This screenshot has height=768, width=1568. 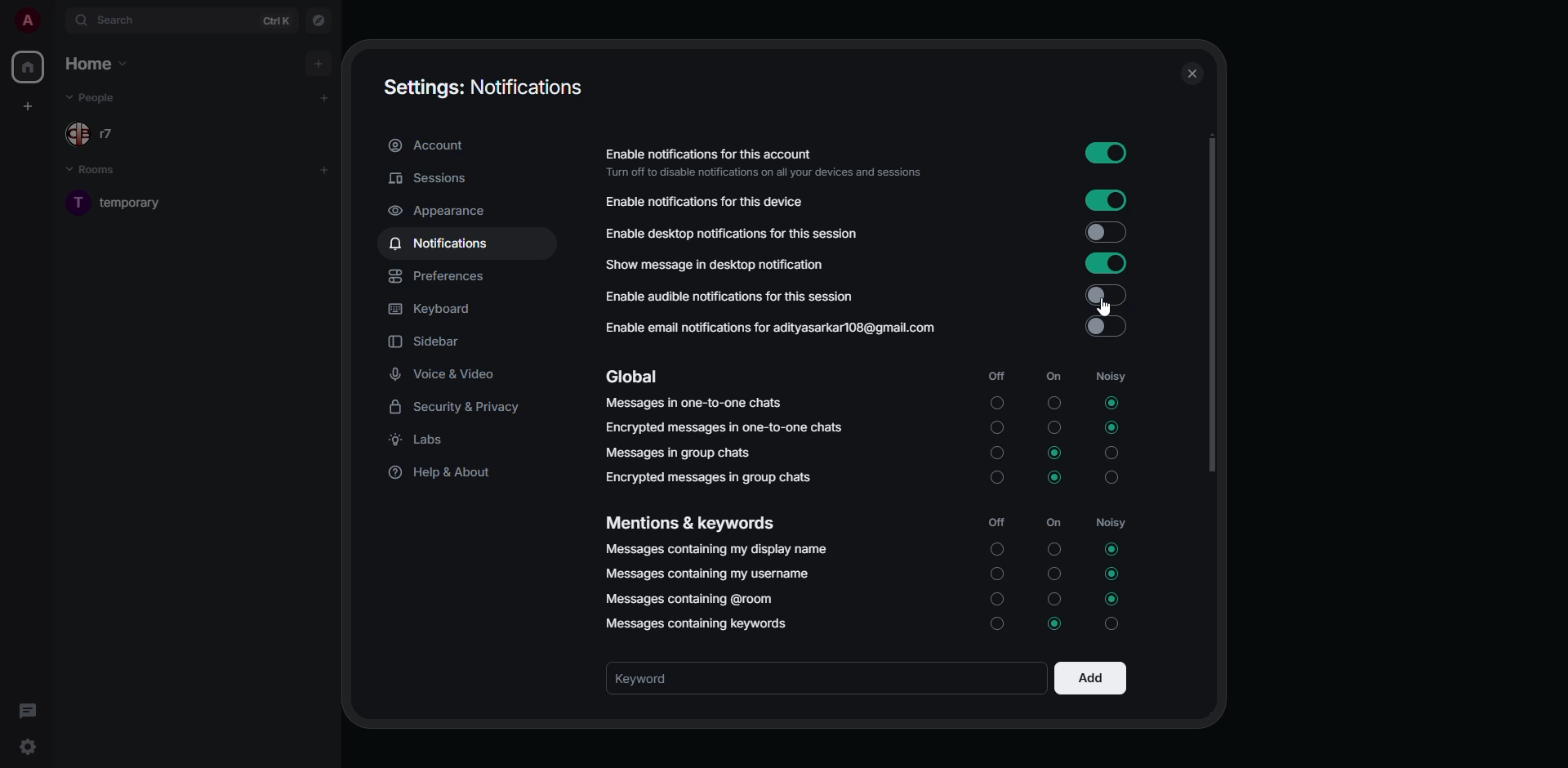 I want to click on enabled, so click(x=1108, y=199).